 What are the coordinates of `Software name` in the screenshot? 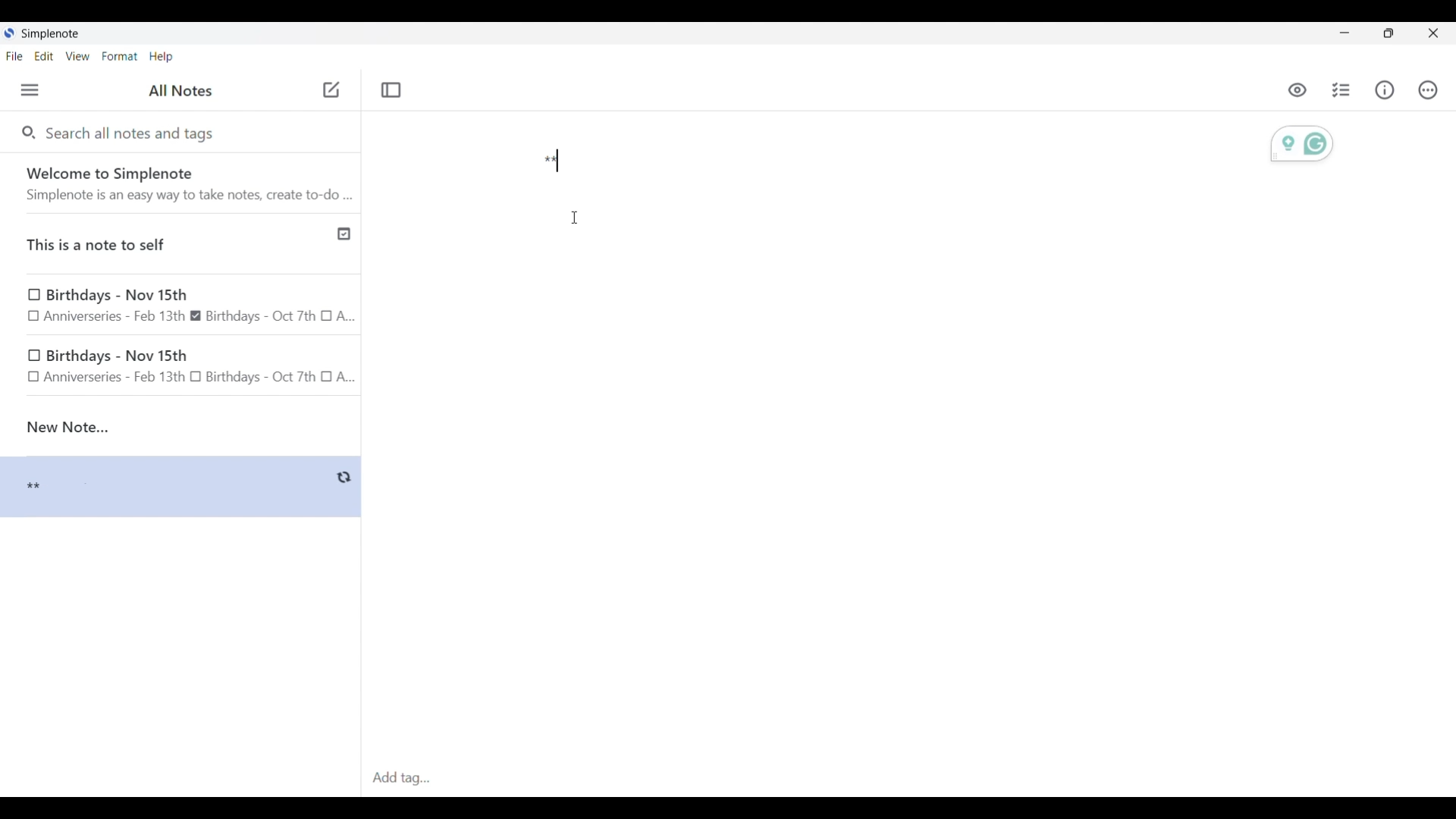 It's located at (52, 34).